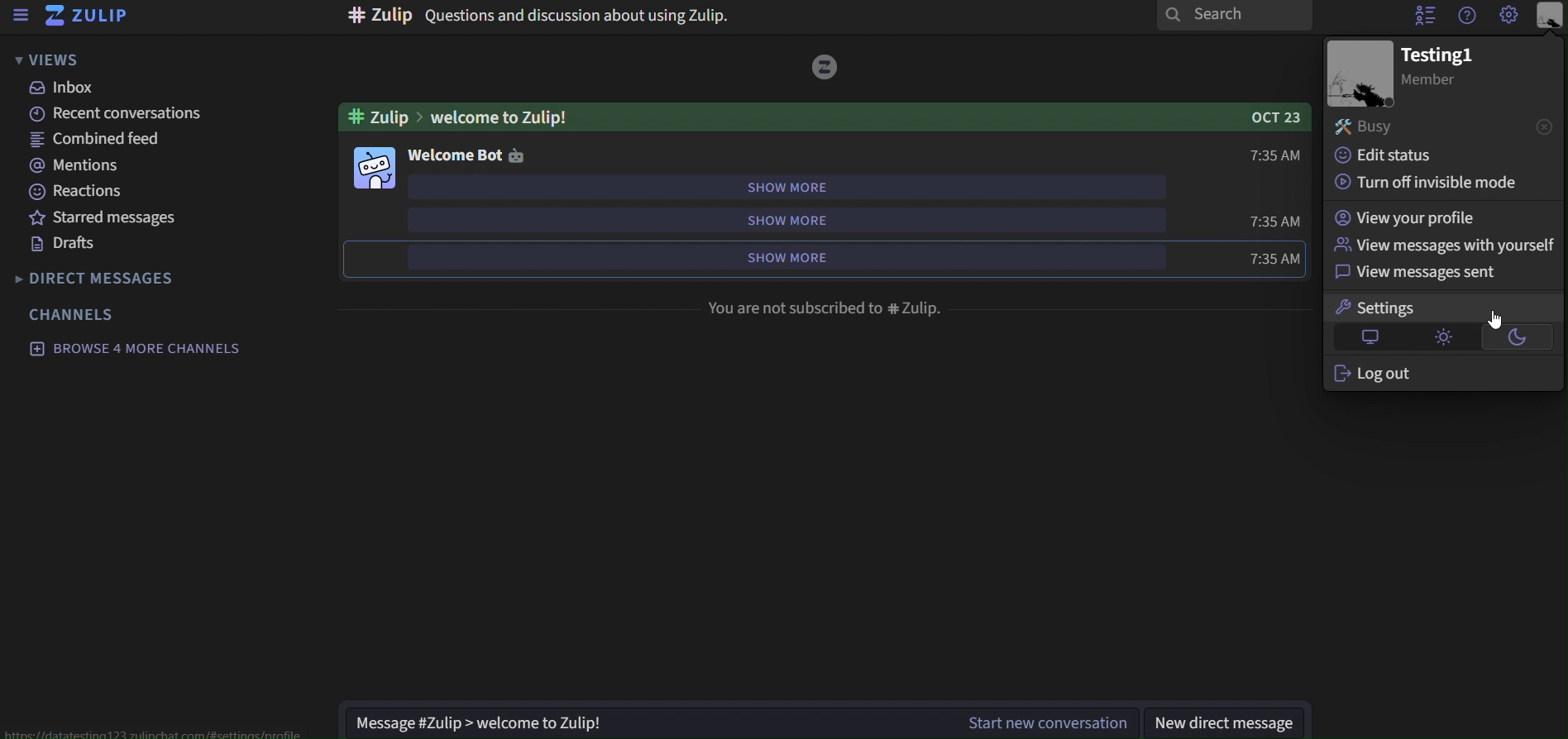 The width and height of the screenshot is (1568, 739). What do you see at coordinates (1441, 373) in the screenshot?
I see `log out` at bounding box center [1441, 373].